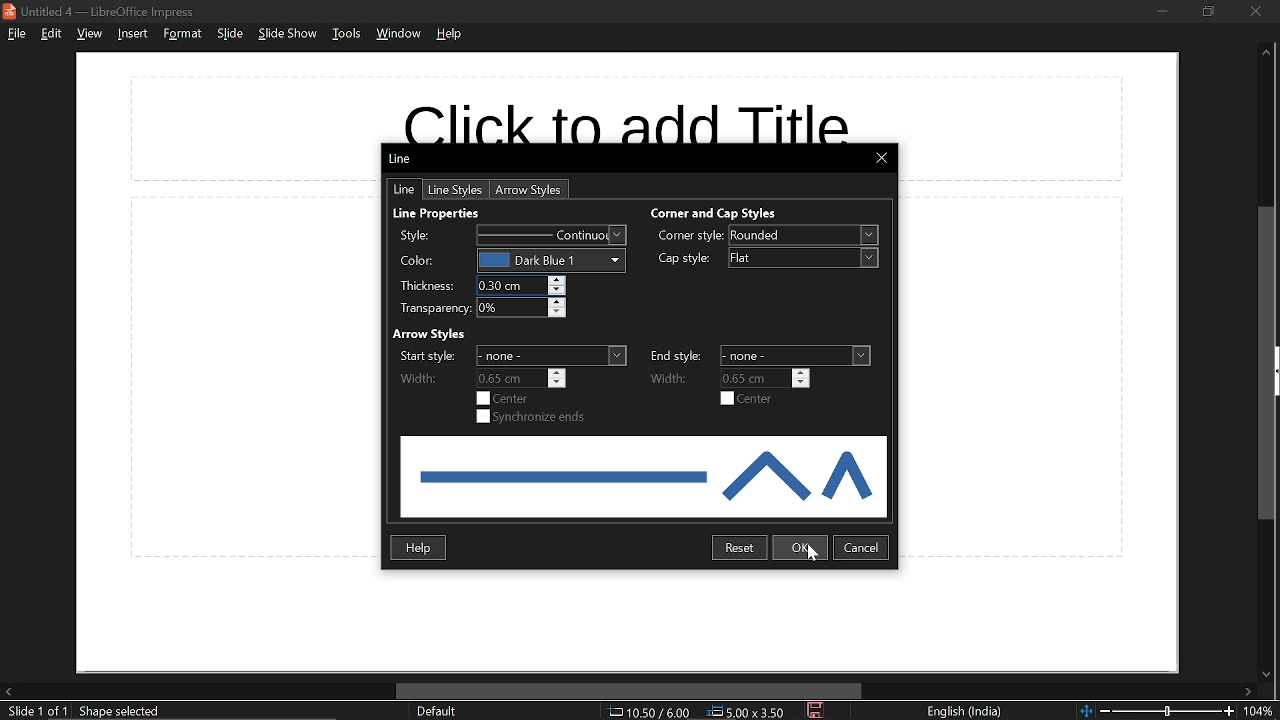 The width and height of the screenshot is (1280, 720). Describe the element at coordinates (36, 711) in the screenshot. I see `current slide` at that location.